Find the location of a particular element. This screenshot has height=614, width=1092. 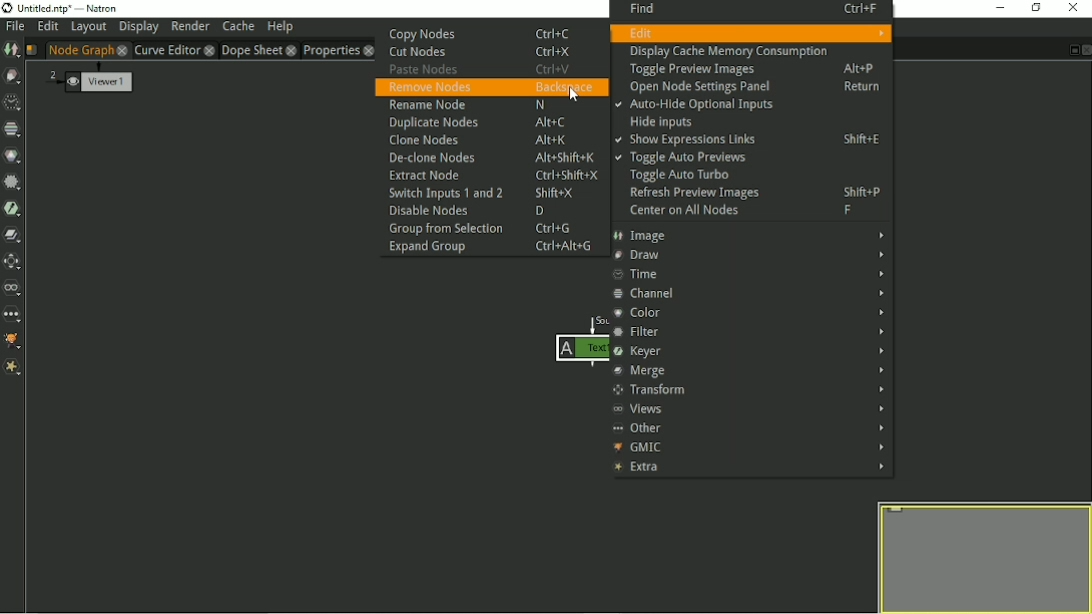

Script name is located at coordinates (31, 50).